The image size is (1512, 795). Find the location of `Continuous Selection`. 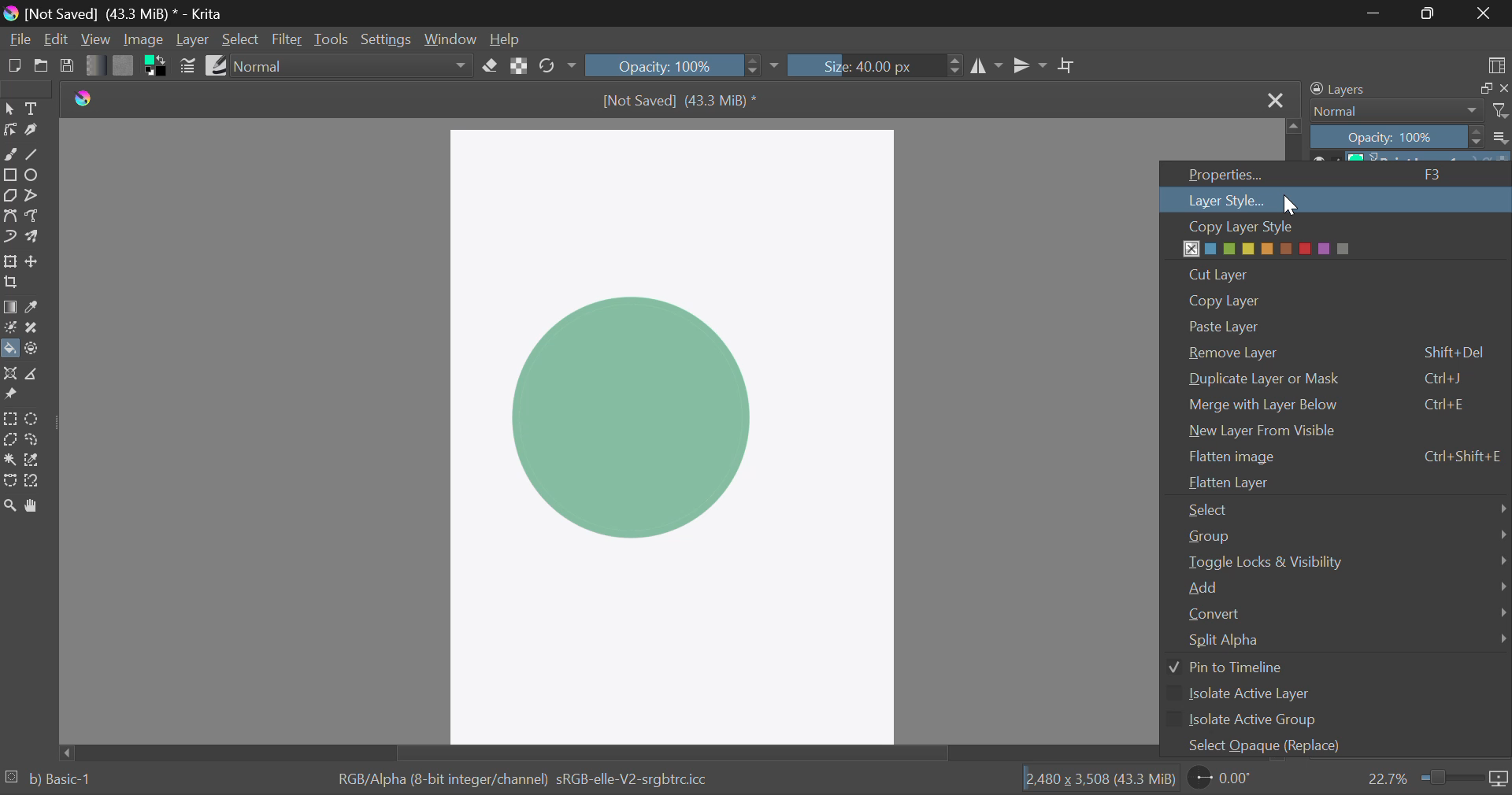

Continuous Selection is located at coordinates (9, 462).